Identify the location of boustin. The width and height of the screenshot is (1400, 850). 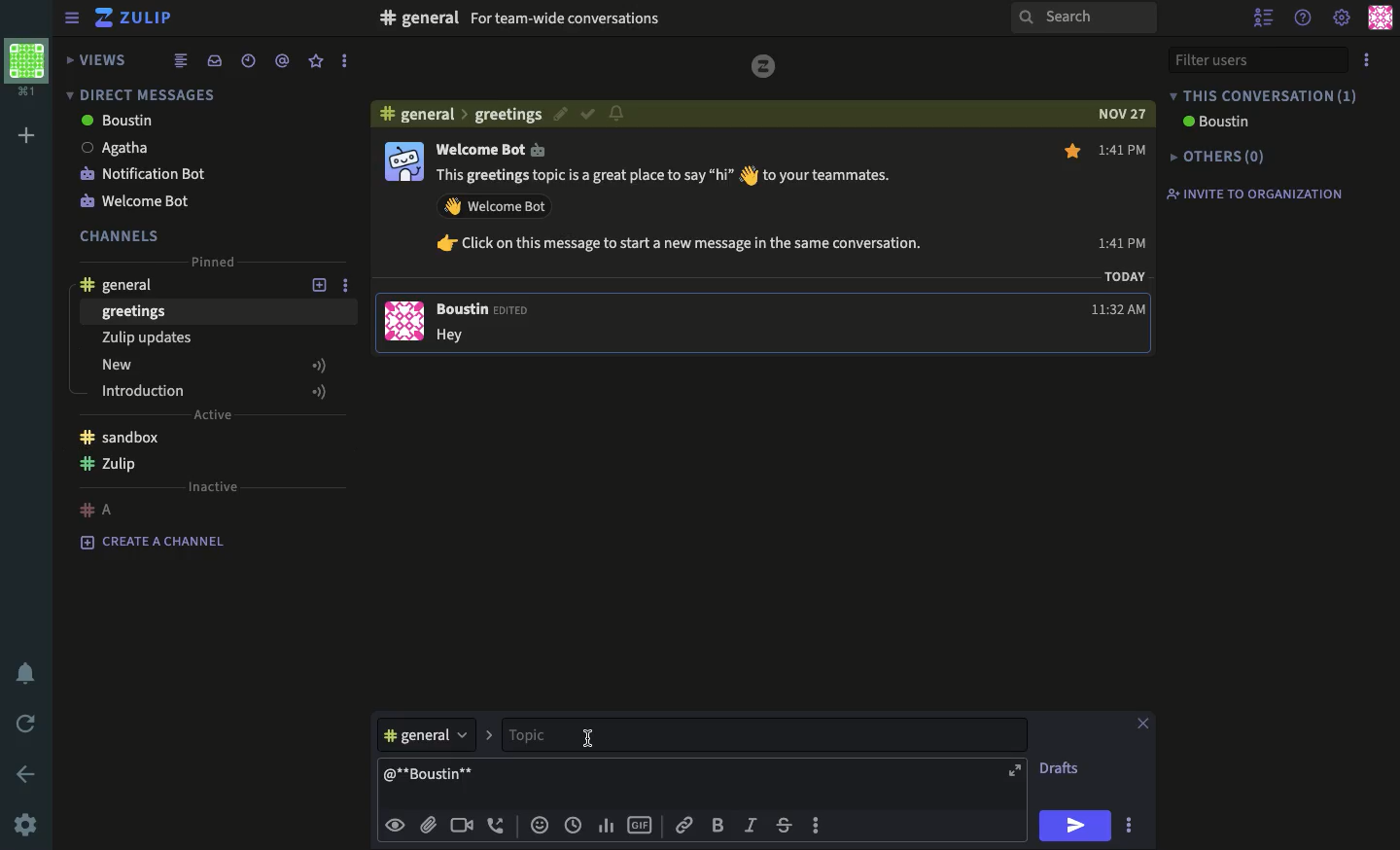
(1213, 122).